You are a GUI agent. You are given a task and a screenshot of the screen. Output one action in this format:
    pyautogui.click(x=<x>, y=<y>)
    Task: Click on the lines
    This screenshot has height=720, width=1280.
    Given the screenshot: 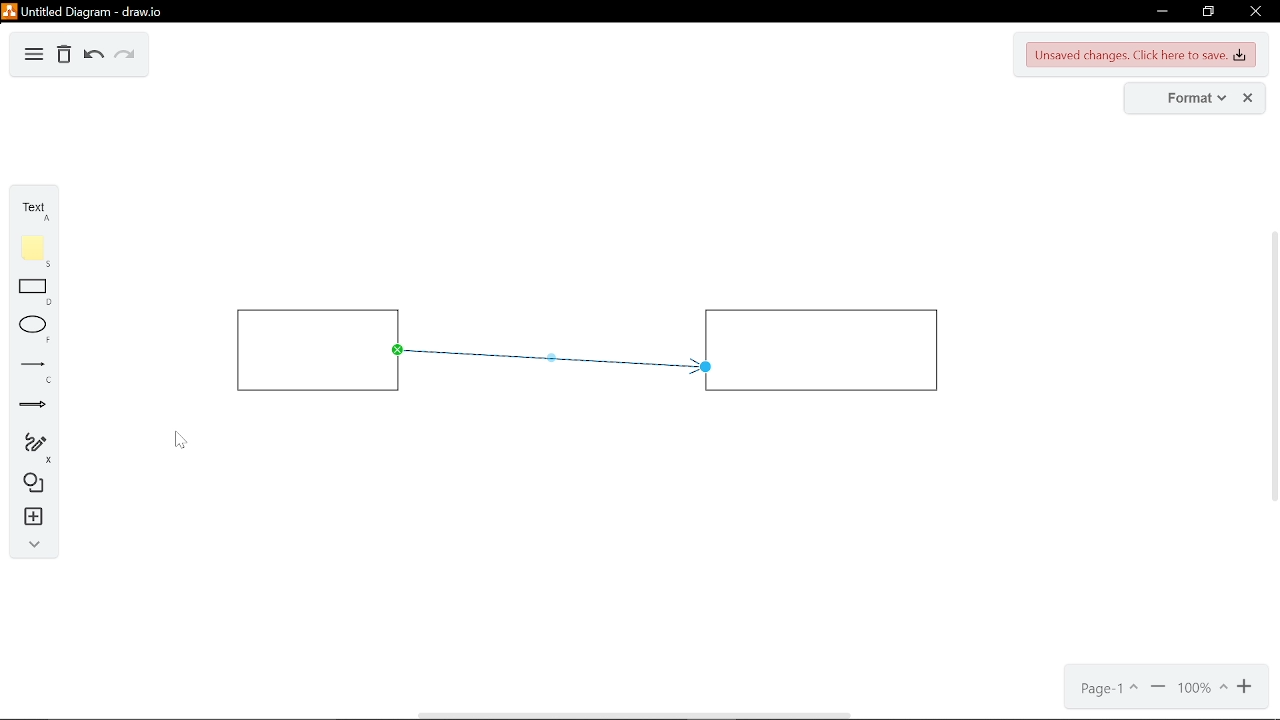 What is the action you would take?
    pyautogui.click(x=28, y=373)
    